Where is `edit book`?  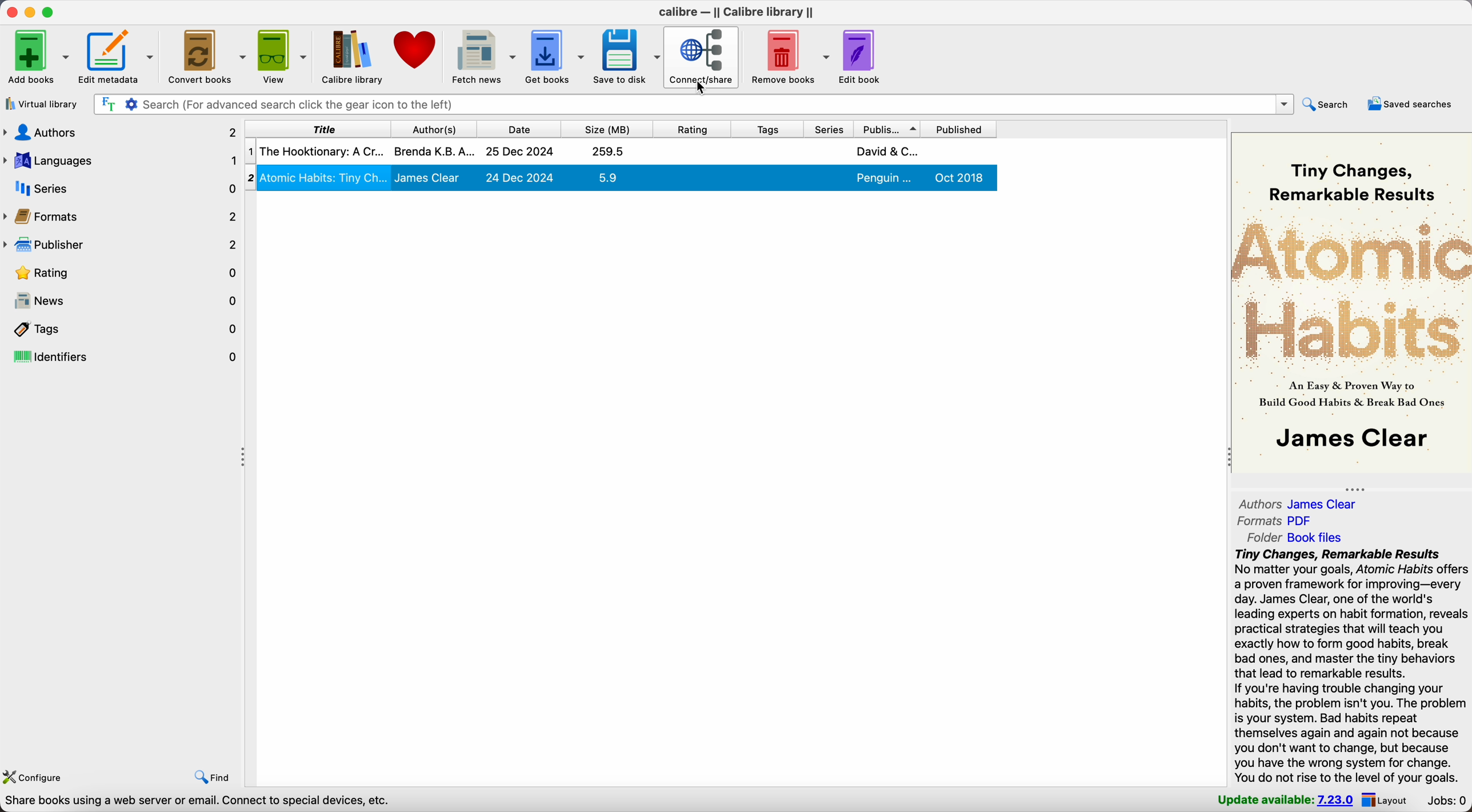
edit book is located at coordinates (861, 58).